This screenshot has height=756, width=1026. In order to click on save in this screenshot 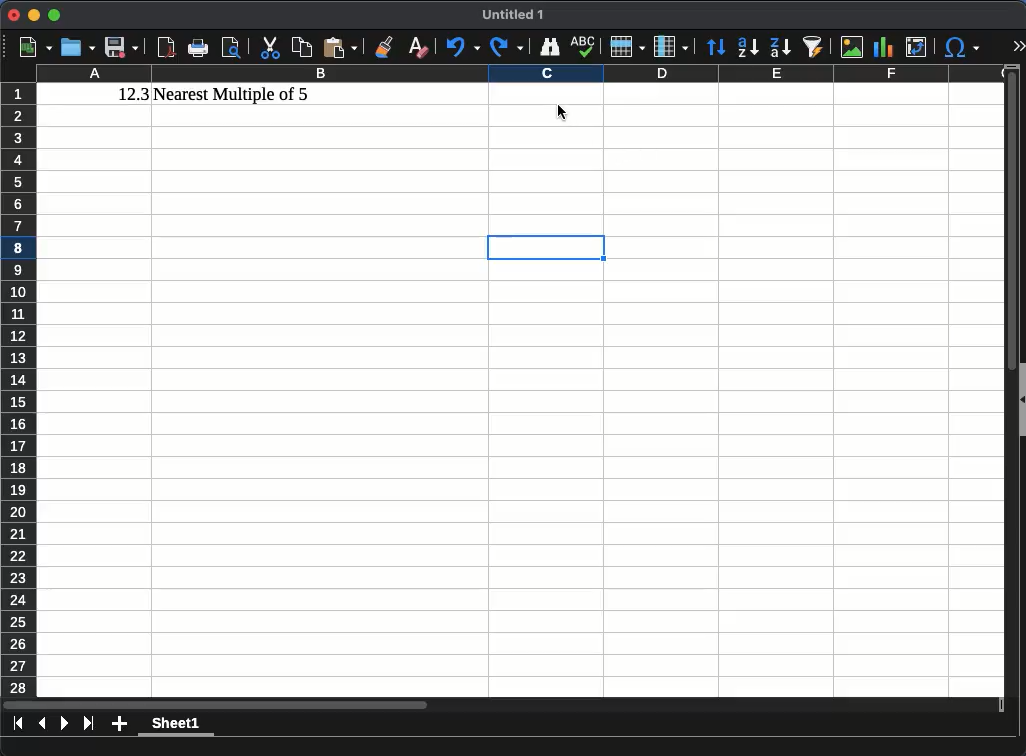, I will do `click(121, 47)`.